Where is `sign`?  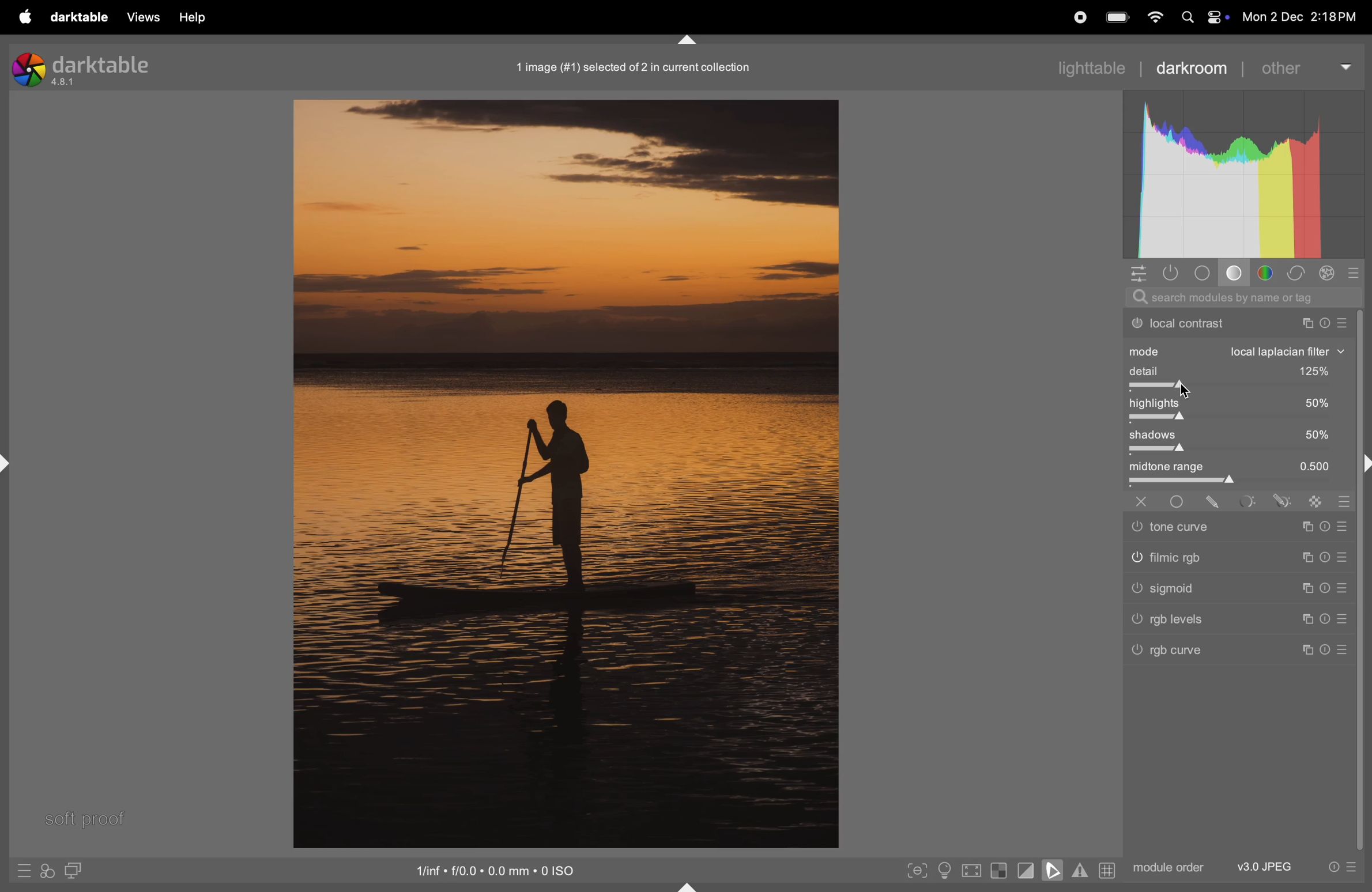
sign is located at coordinates (1344, 560).